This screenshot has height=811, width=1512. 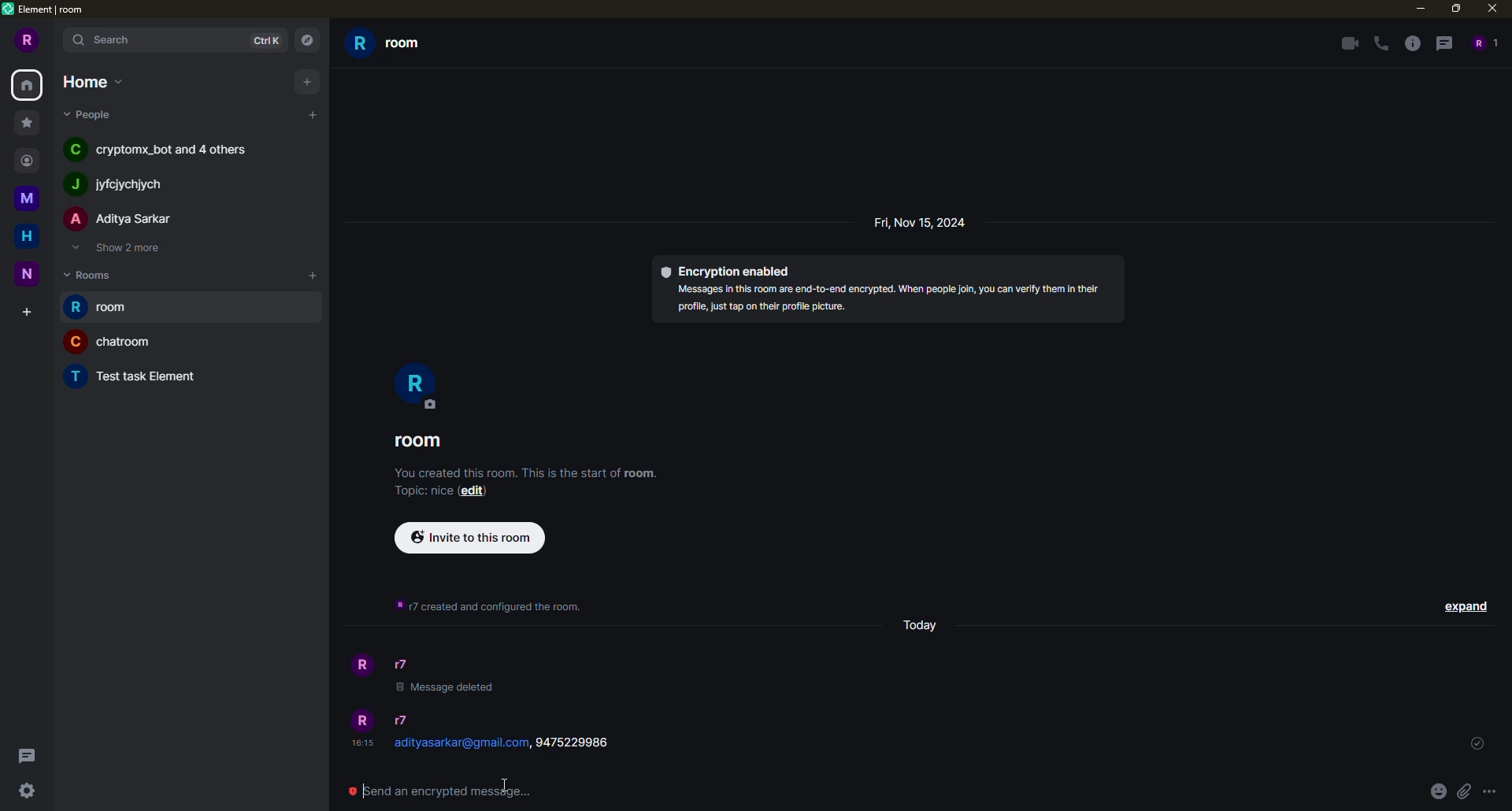 I want to click on close, so click(x=1491, y=9).